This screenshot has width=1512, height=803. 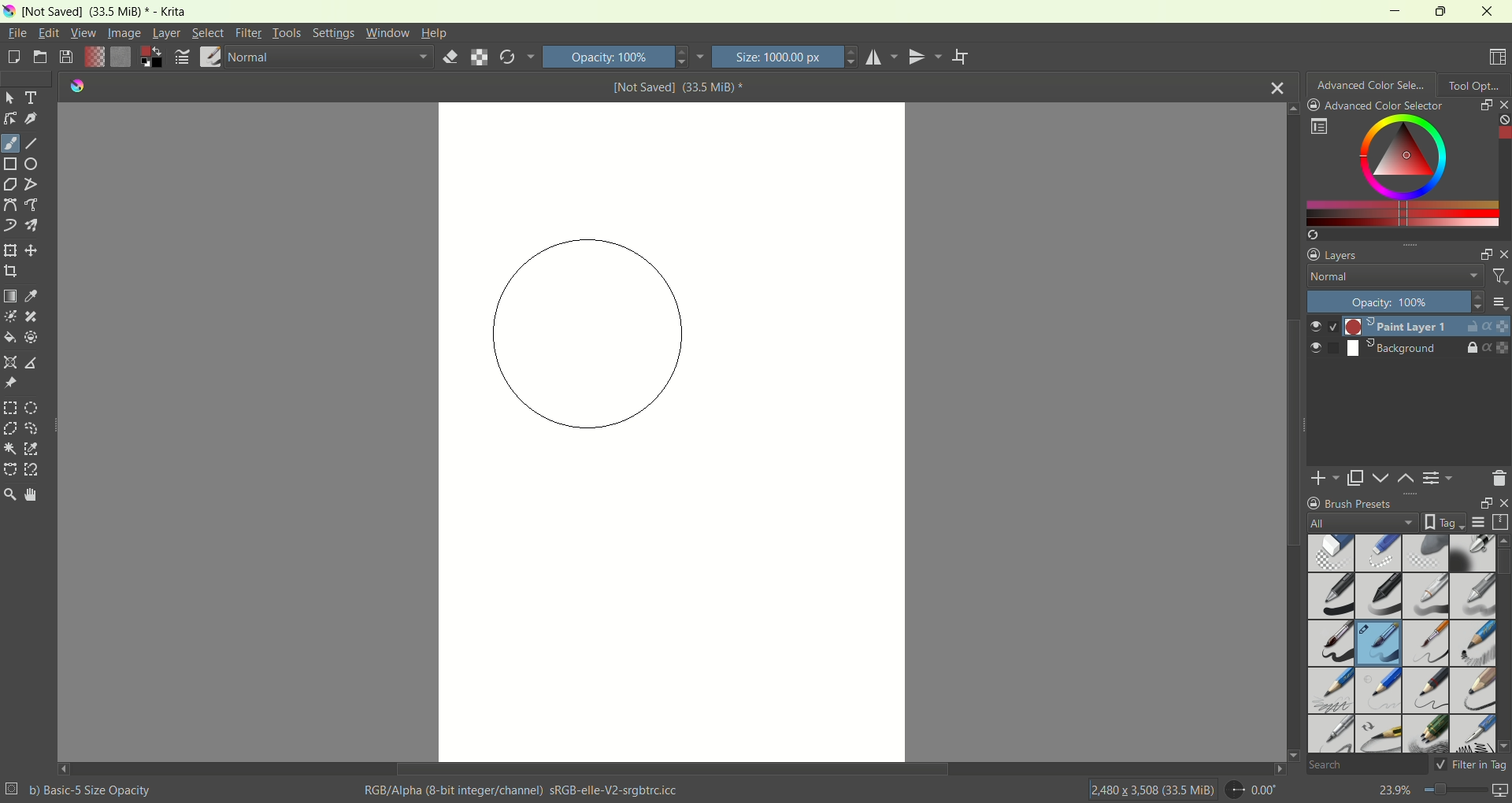 I want to click on search, so click(x=1366, y=766).